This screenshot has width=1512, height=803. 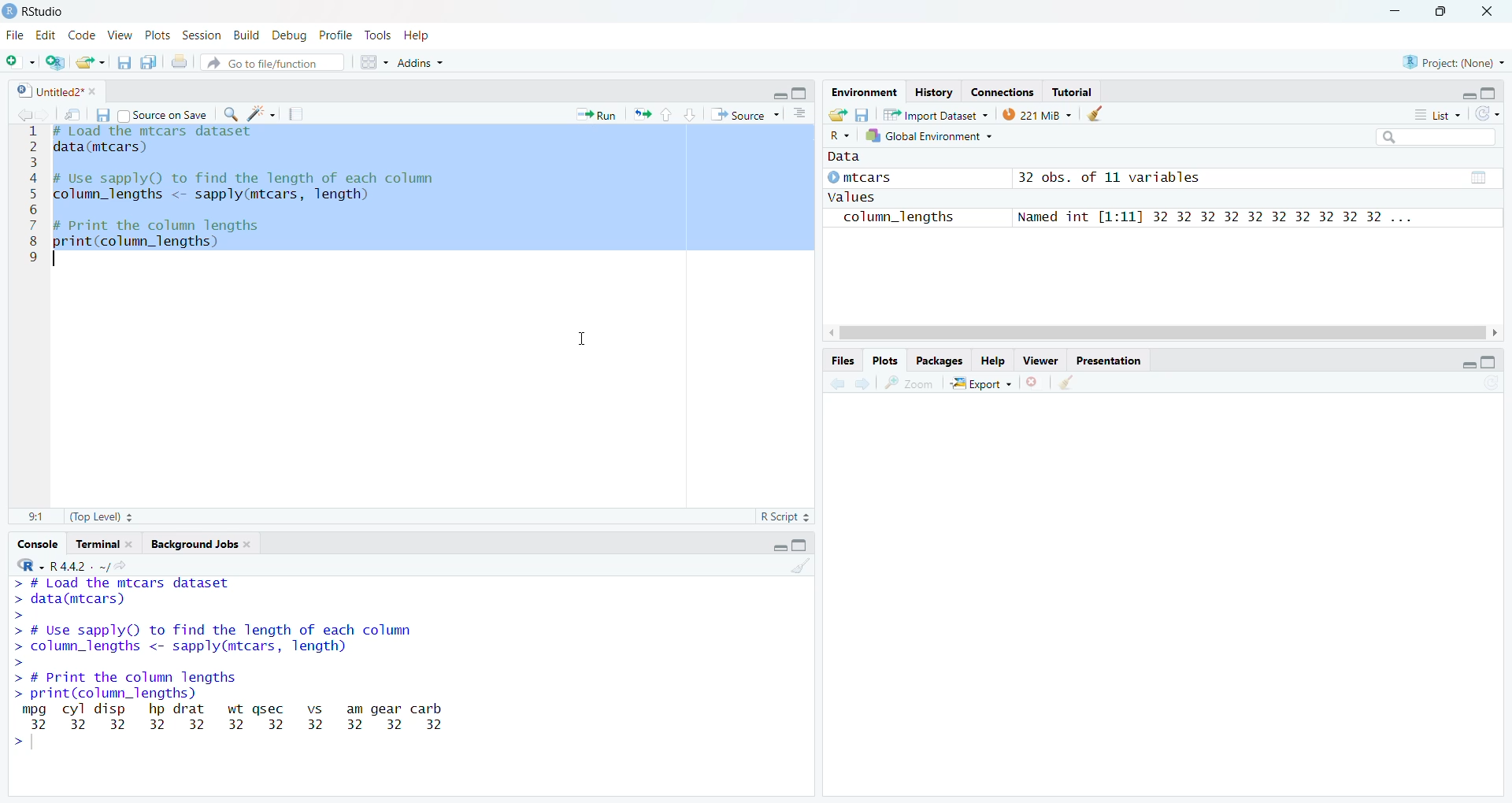 I want to click on File, so click(x=17, y=34).